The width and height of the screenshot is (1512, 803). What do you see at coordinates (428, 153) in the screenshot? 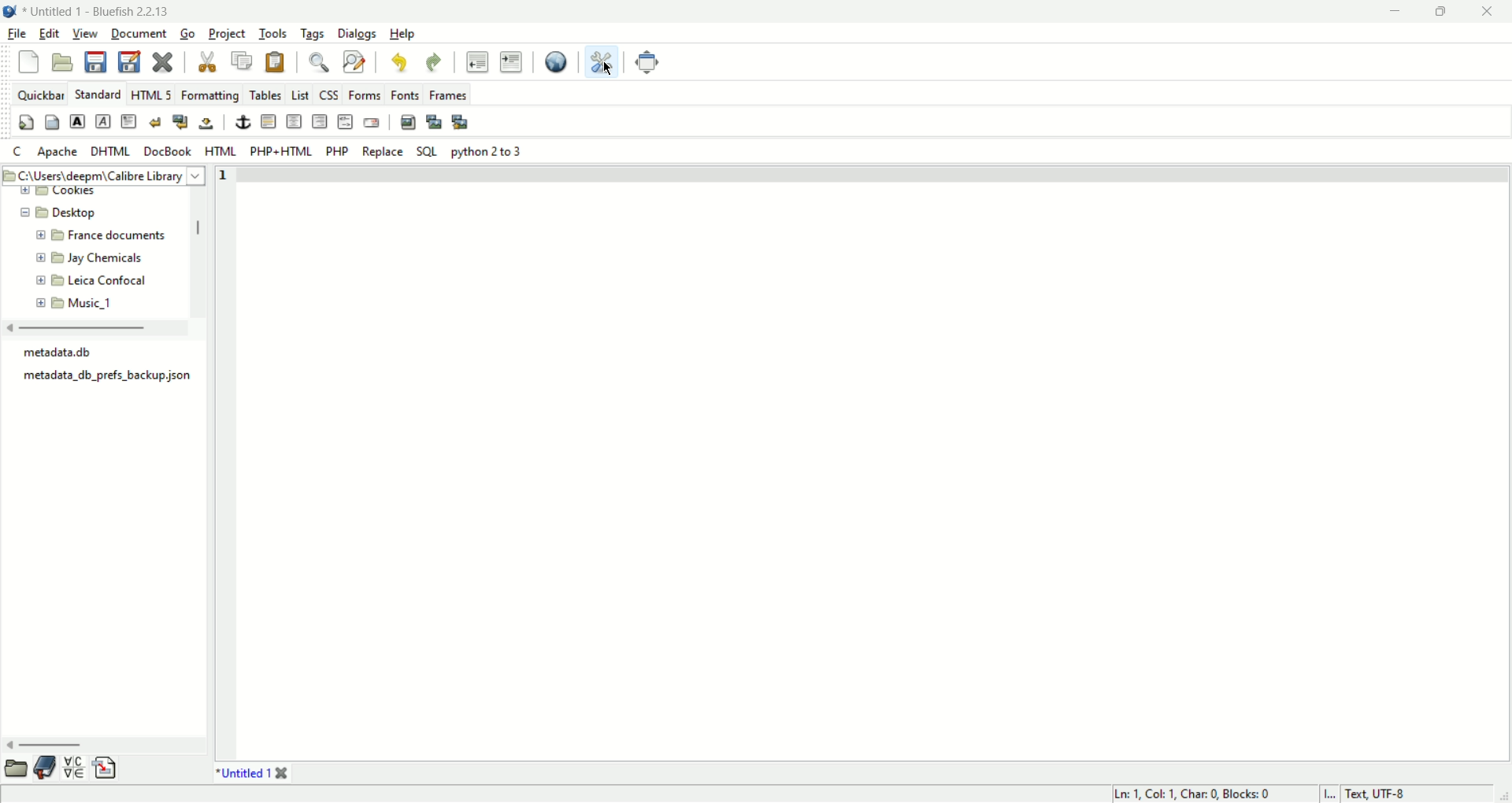
I see `SQL` at bounding box center [428, 153].